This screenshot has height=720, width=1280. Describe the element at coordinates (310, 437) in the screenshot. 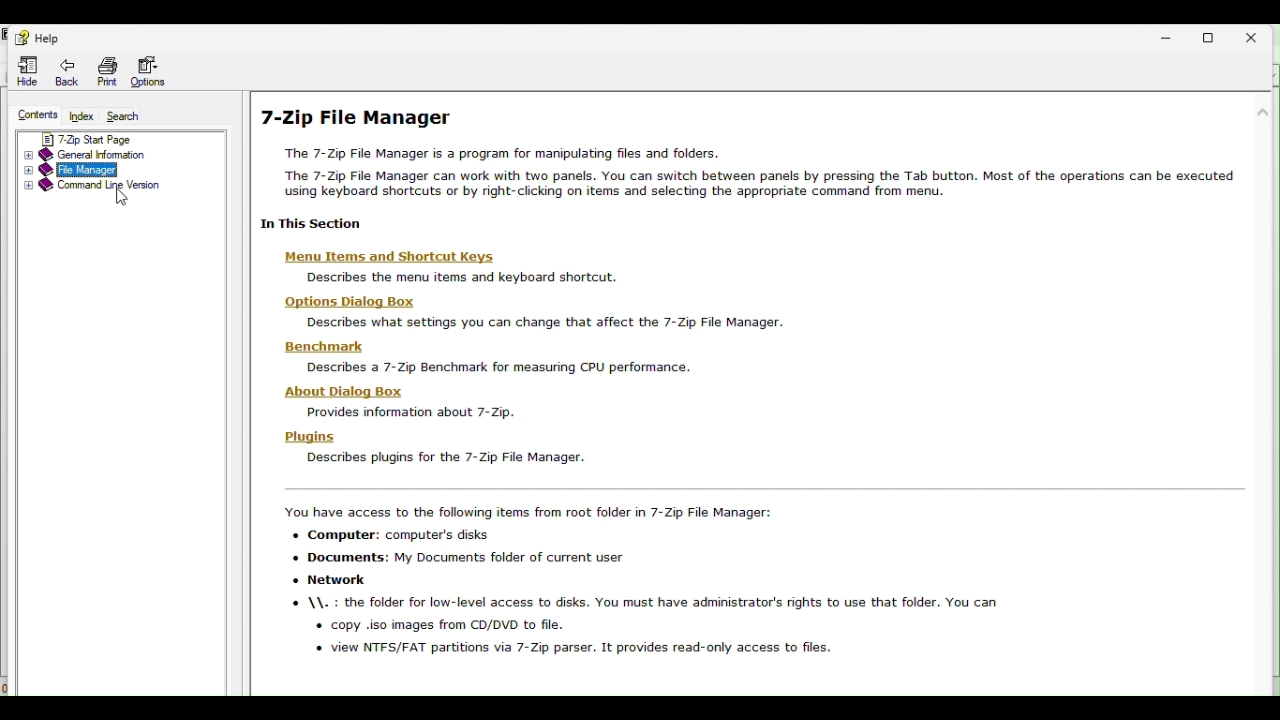

I see `plugins` at that location.